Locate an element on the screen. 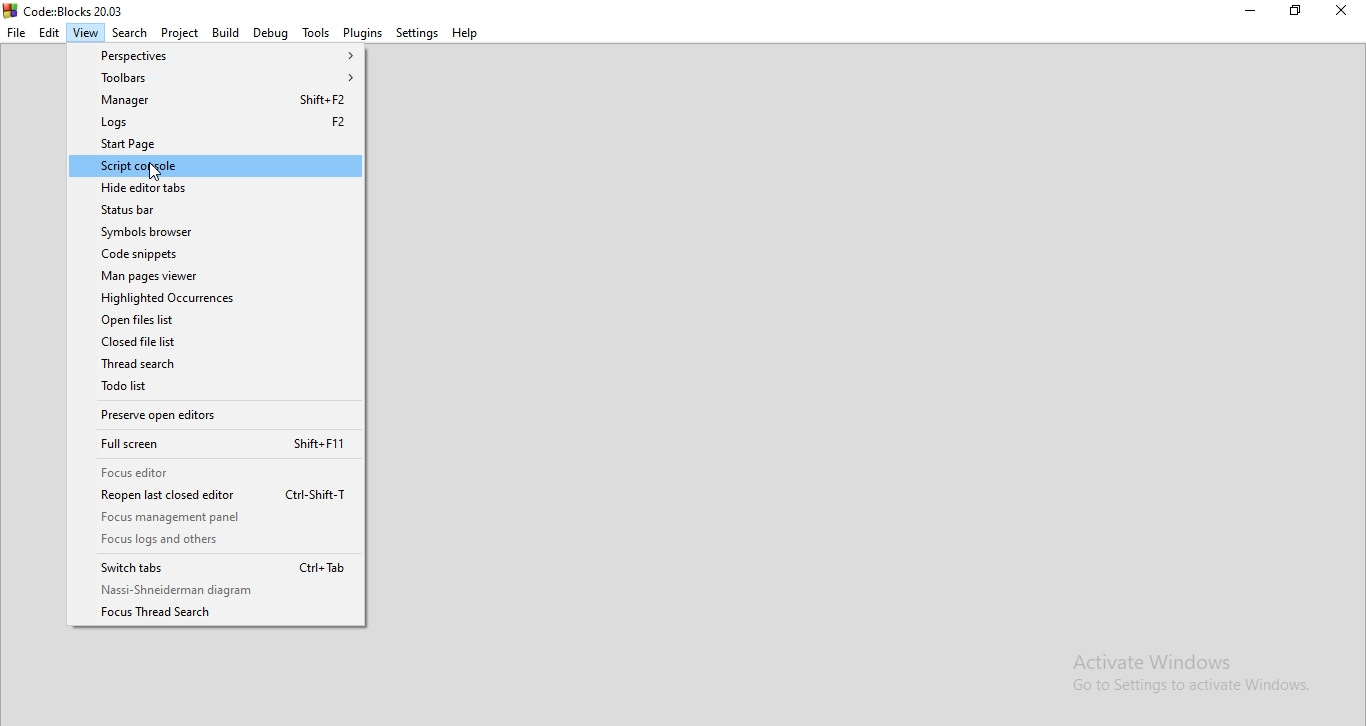 This screenshot has height=726, width=1366. Debug  is located at coordinates (272, 33).